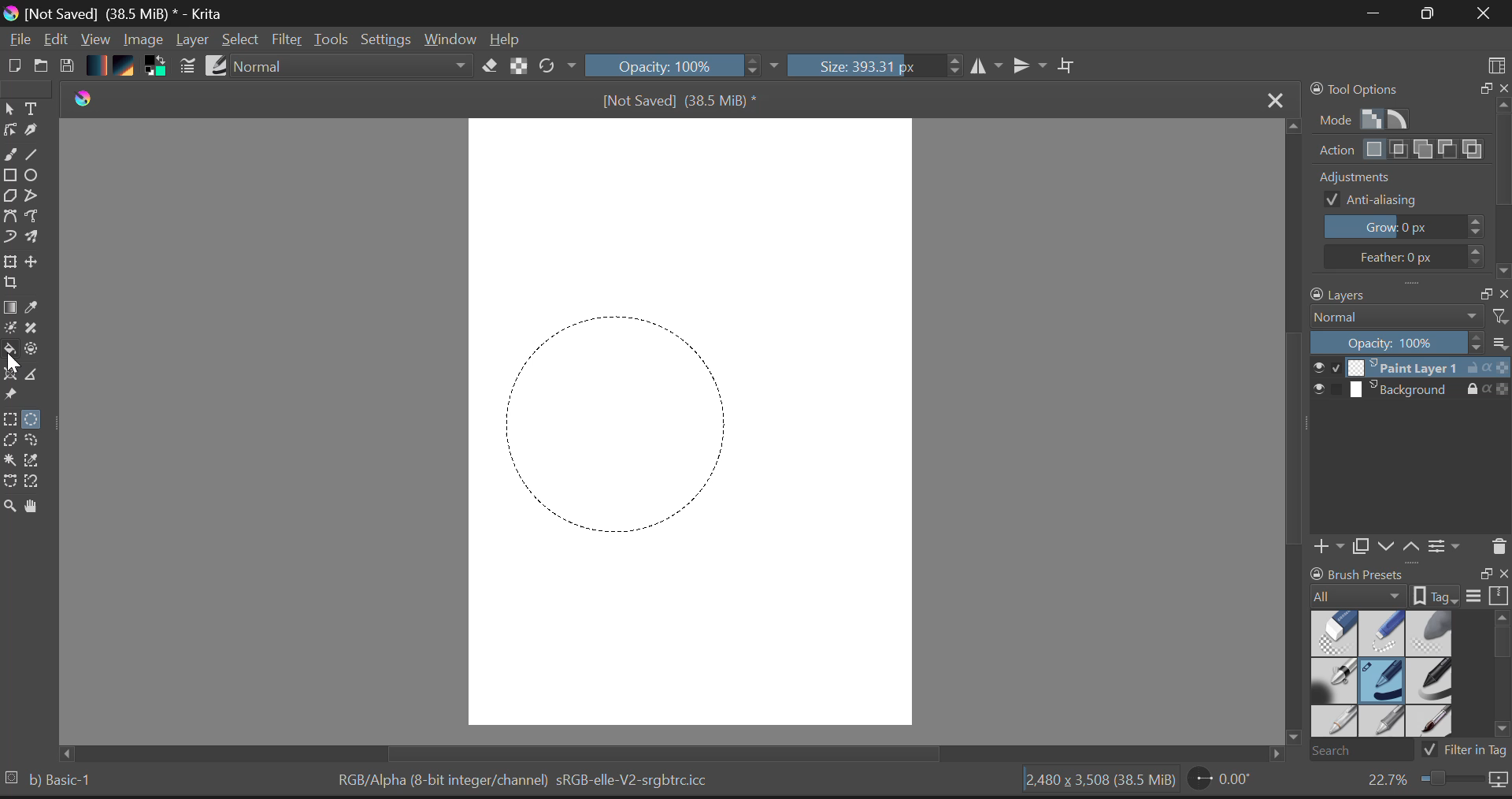  Describe the element at coordinates (449, 39) in the screenshot. I see `Window` at that location.